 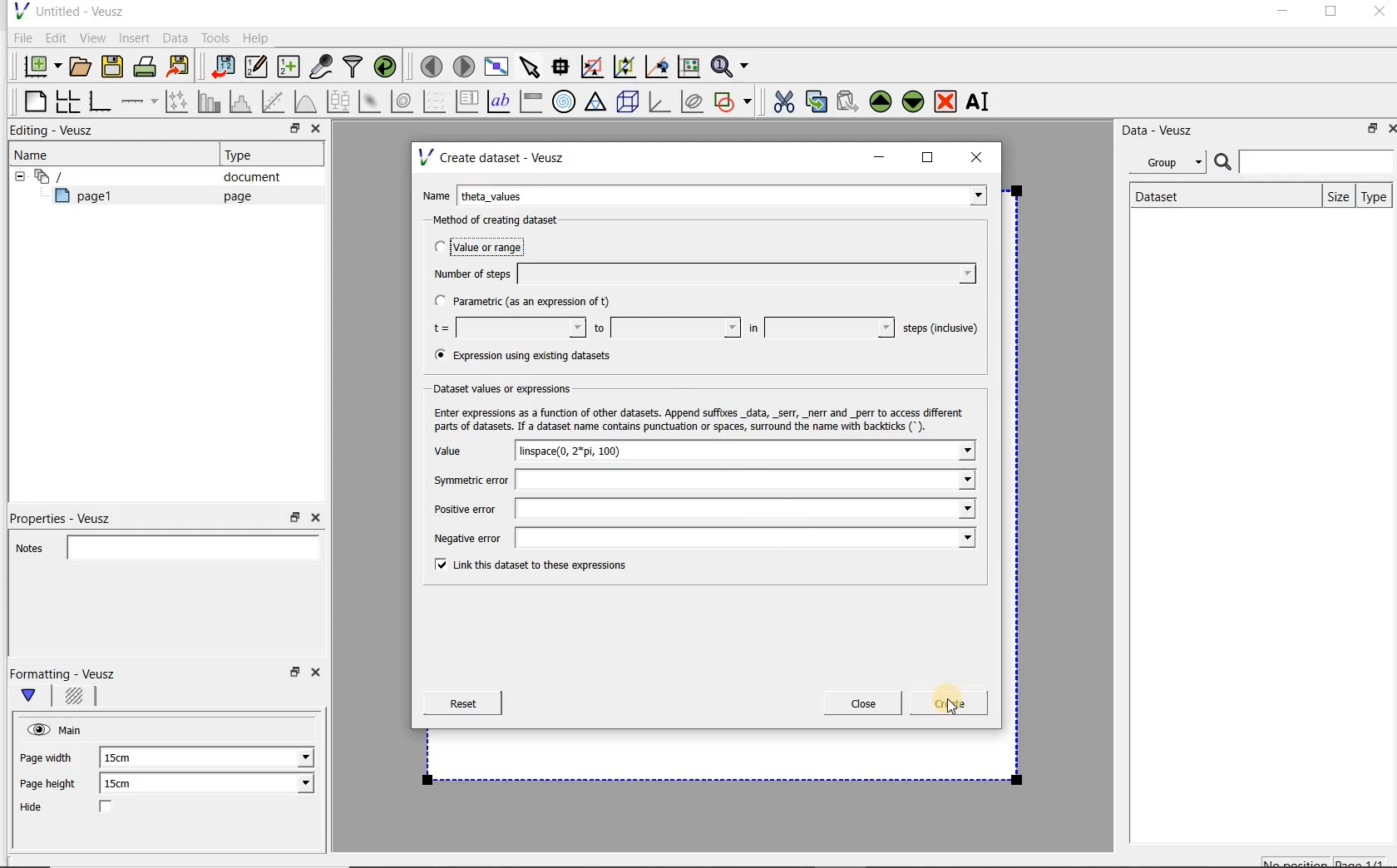 What do you see at coordinates (148, 66) in the screenshot?
I see `print the document` at bounding box center [148, 66].